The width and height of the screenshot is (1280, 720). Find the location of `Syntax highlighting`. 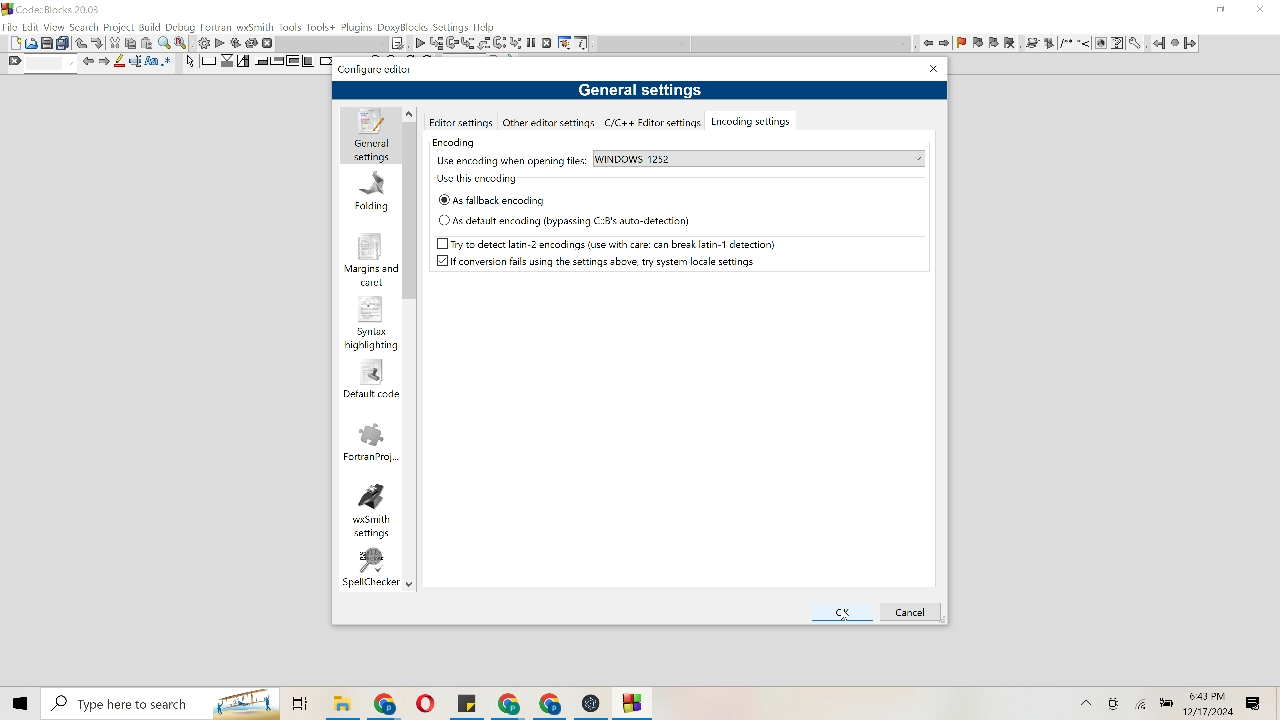

Syntax highlighting is located at coordinates (370, 323).